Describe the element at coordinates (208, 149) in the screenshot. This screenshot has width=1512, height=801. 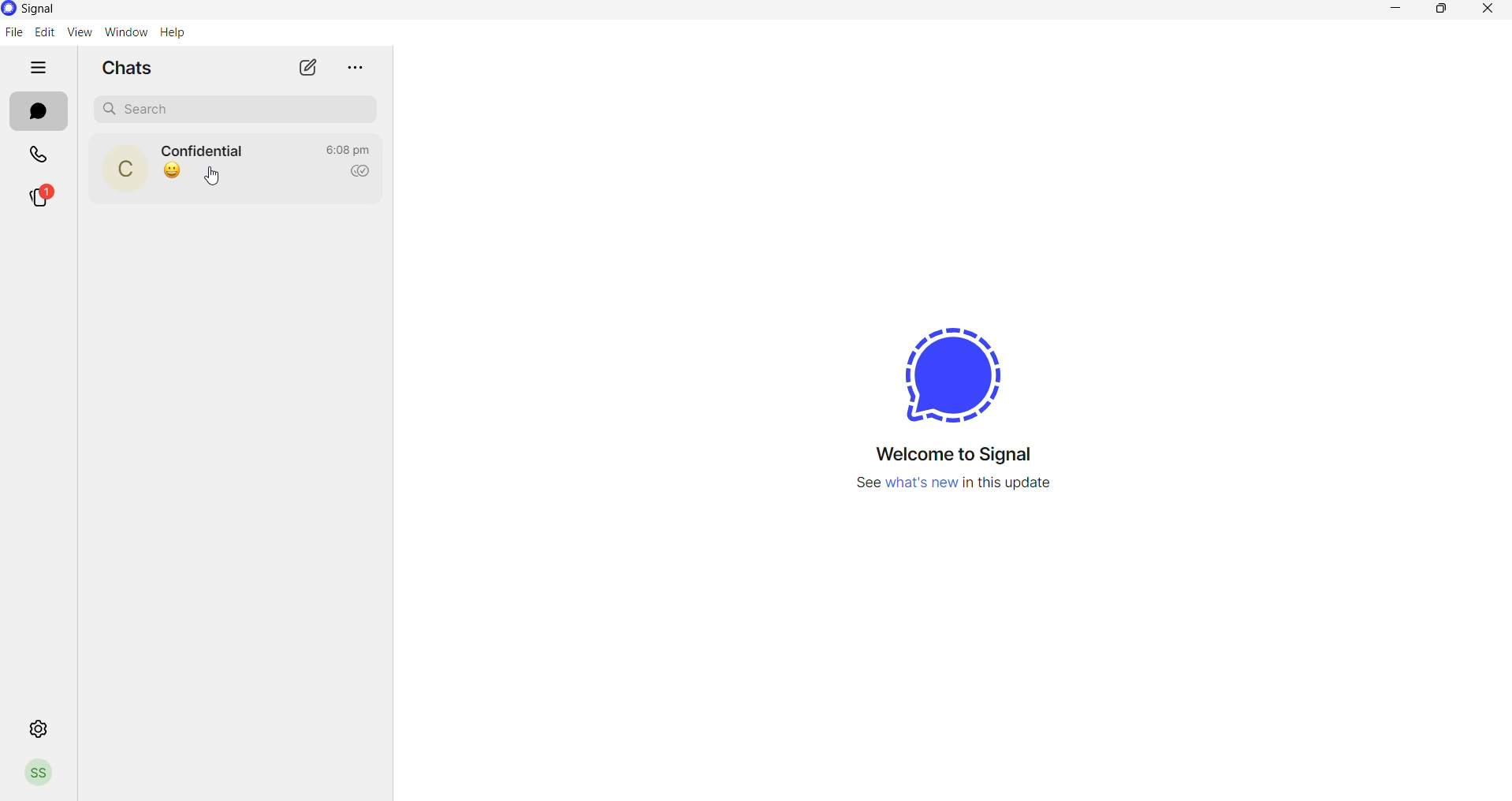
I see `contact name` at that location.